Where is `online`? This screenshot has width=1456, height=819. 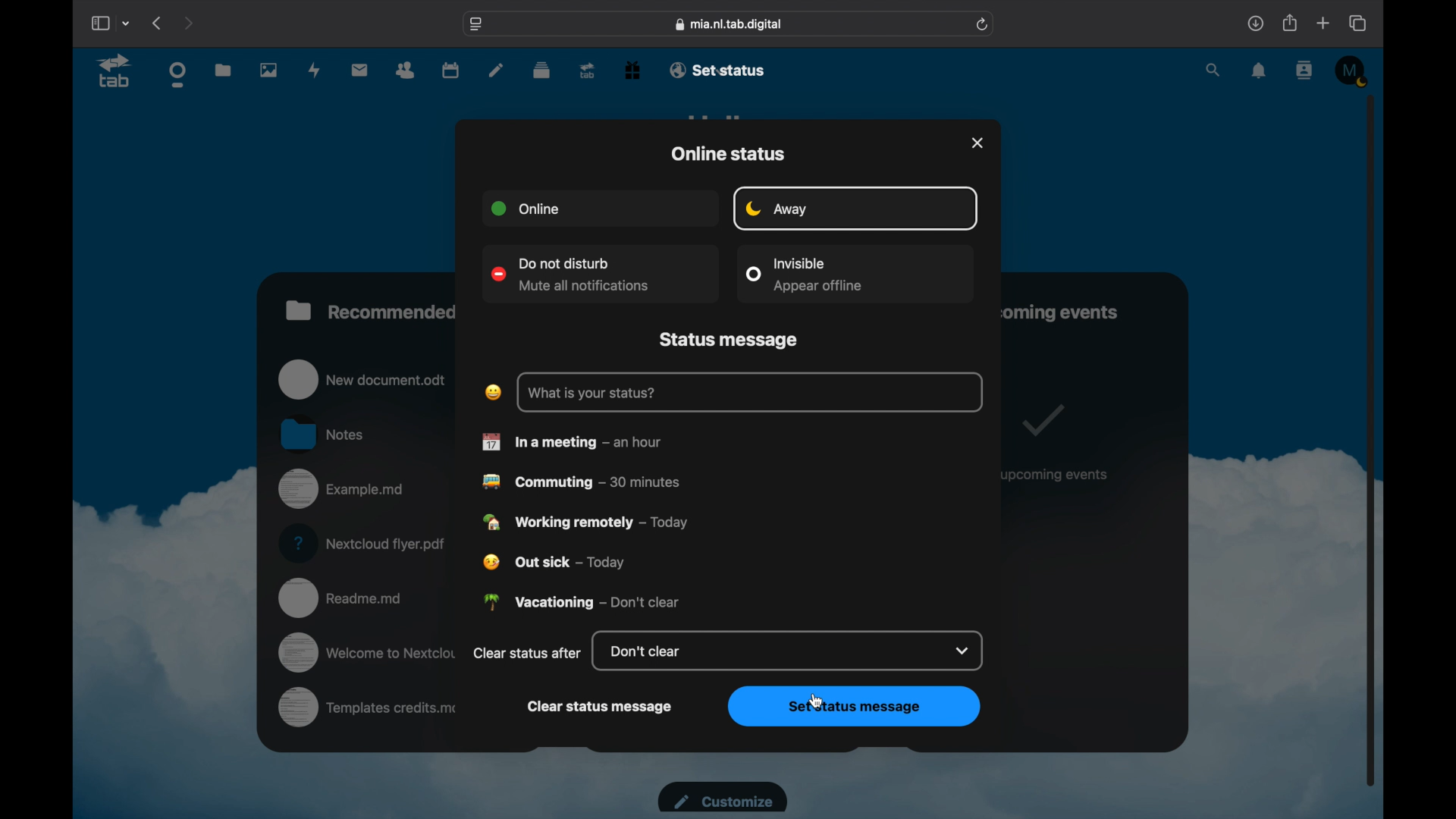
online is located at coordinates (525, 209).